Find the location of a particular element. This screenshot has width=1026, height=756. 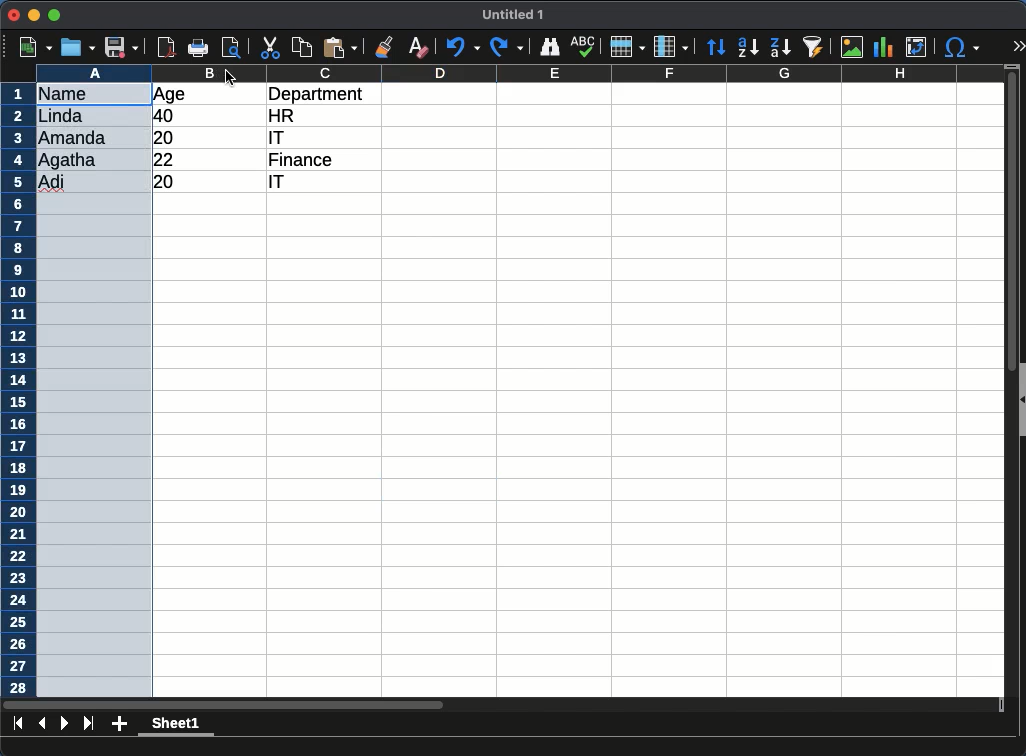

pdf reader is located at coordinates (166, 49).